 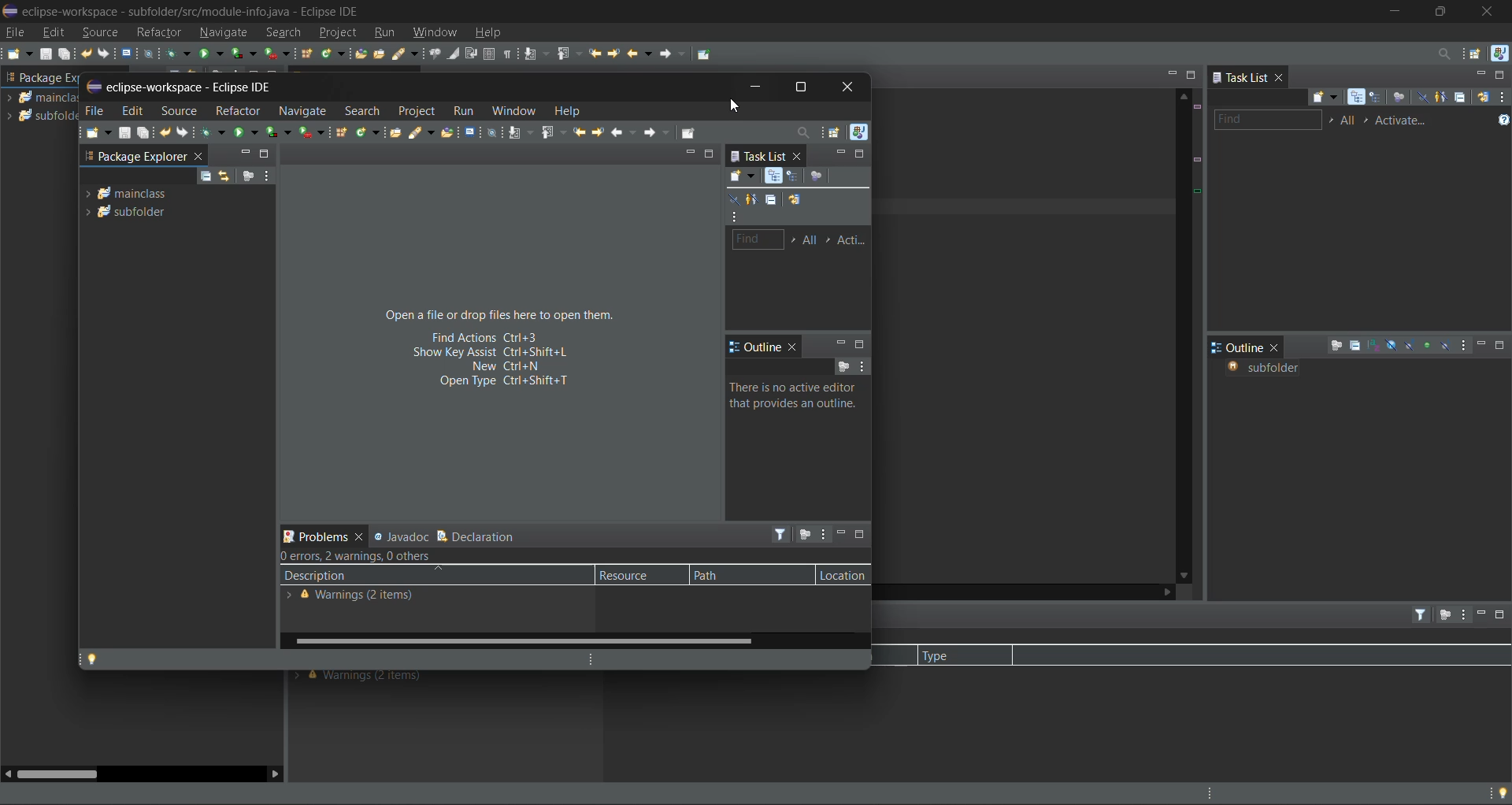 What do you see at coordinates (1477, 54) in the screenshot?
I see `open perspective` at bounding box center [1477, 54].